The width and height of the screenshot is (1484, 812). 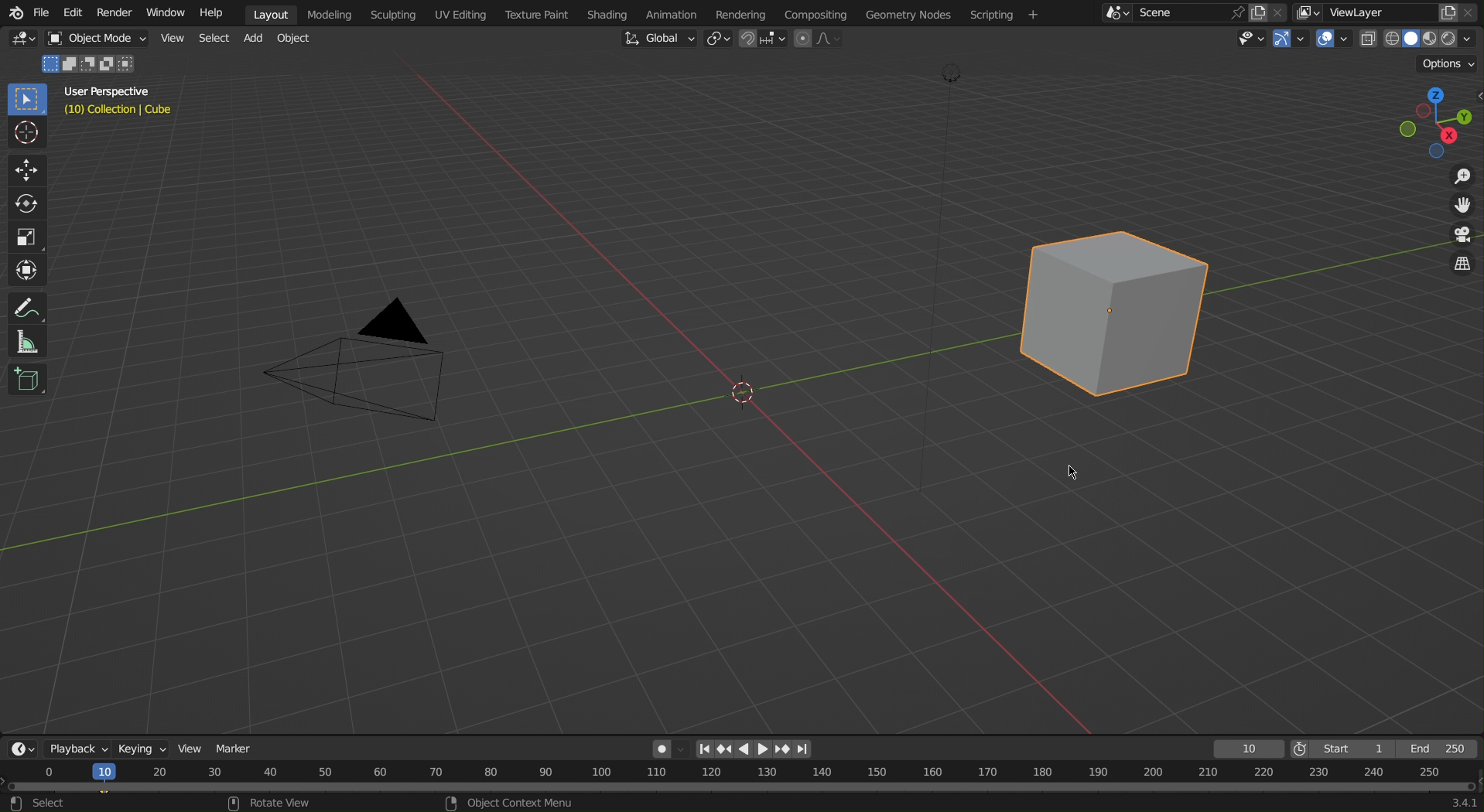 What do you see at coordinates (114, 94) in the screenshot?
I see `User Perspective` at bounding box center [114, 94].